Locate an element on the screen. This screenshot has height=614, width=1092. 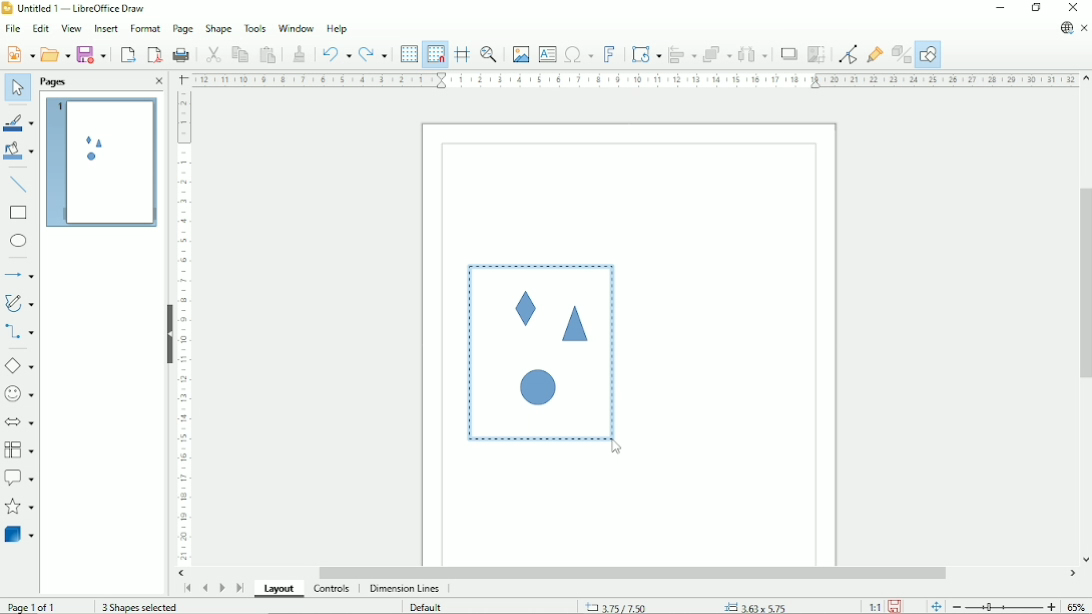
Restore down is located at coordinates (1036, 8).